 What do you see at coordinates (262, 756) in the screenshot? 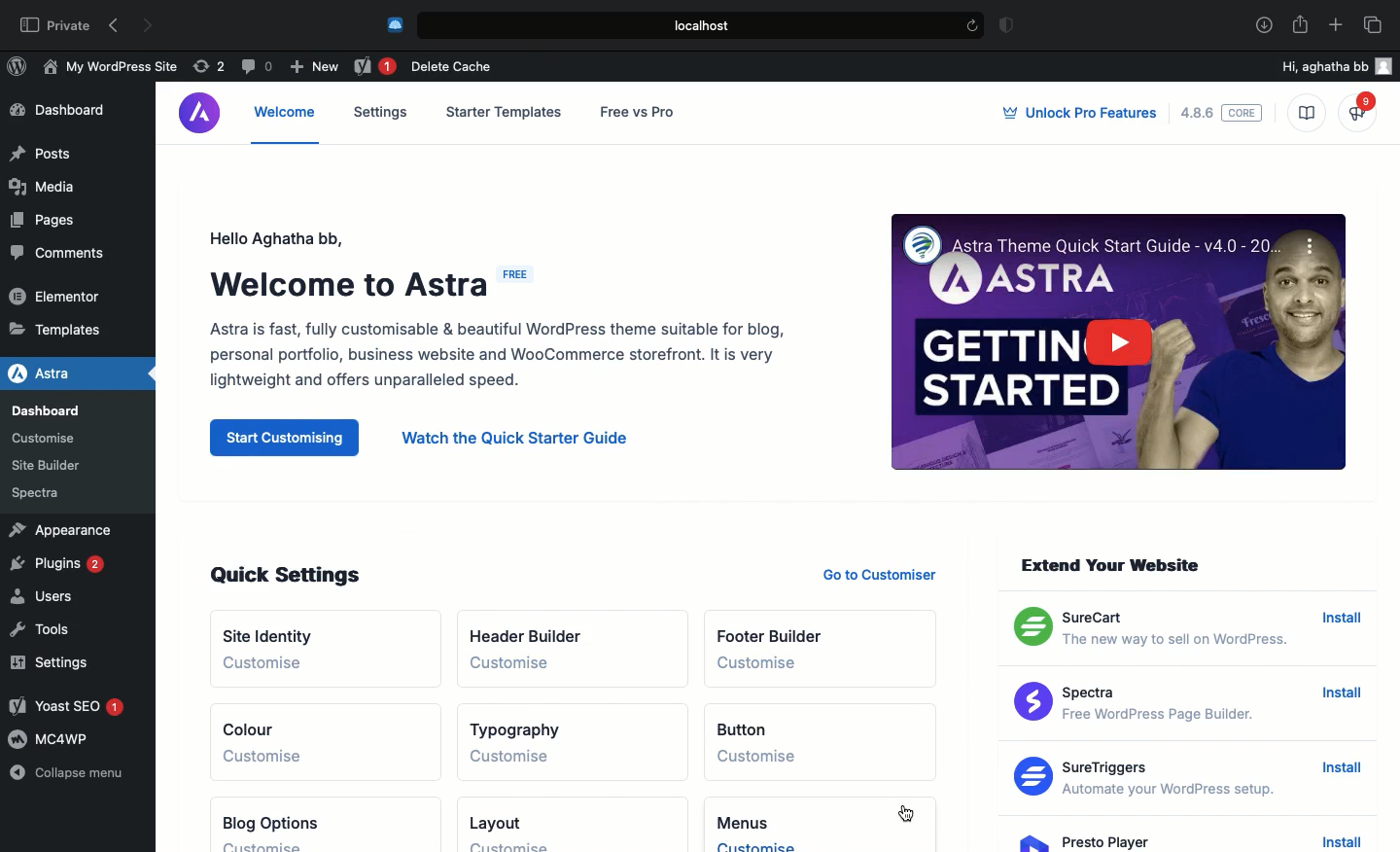
I see `Customize` at bounding box center [262, 756].